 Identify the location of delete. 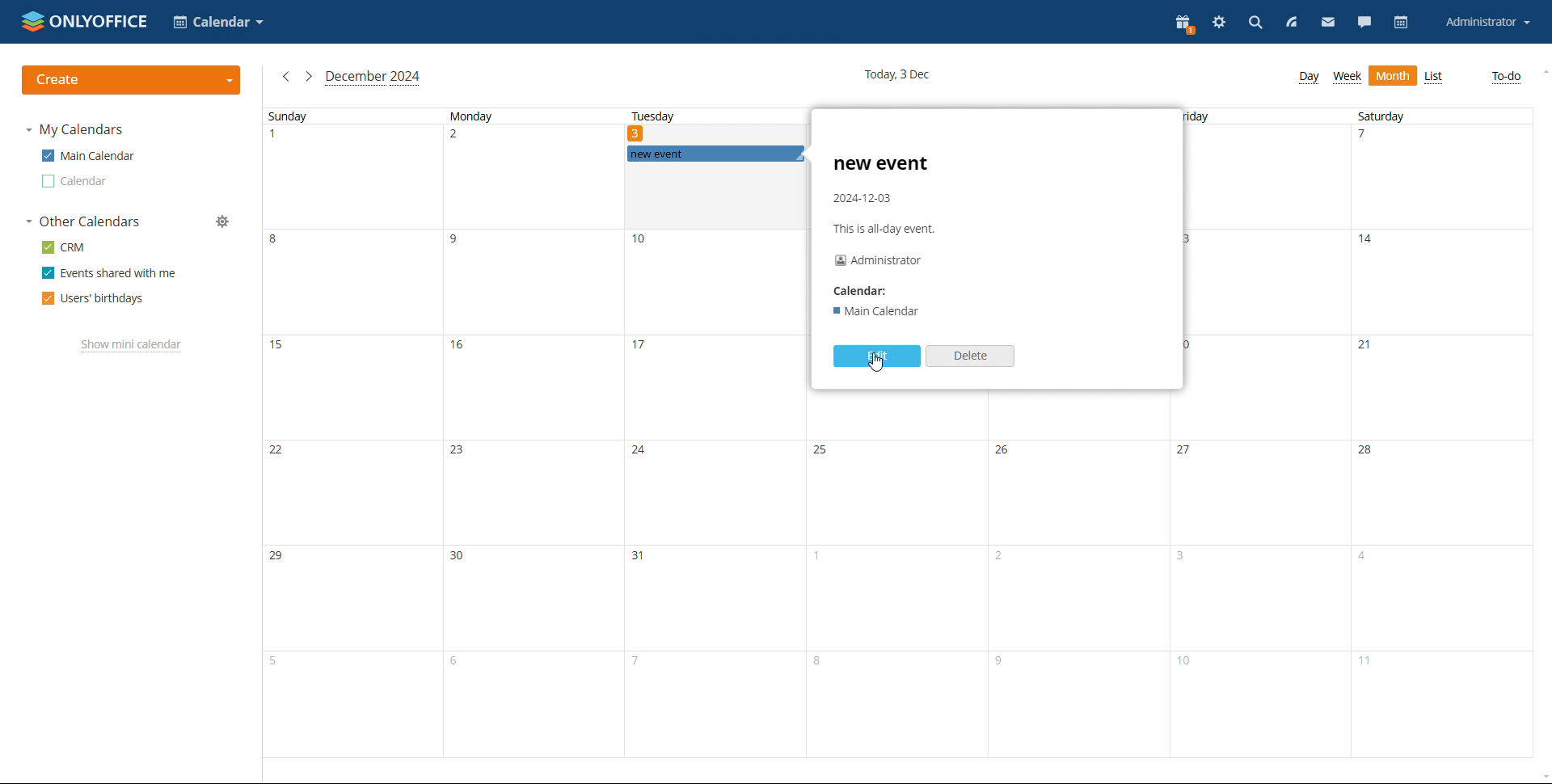
(970, 356).